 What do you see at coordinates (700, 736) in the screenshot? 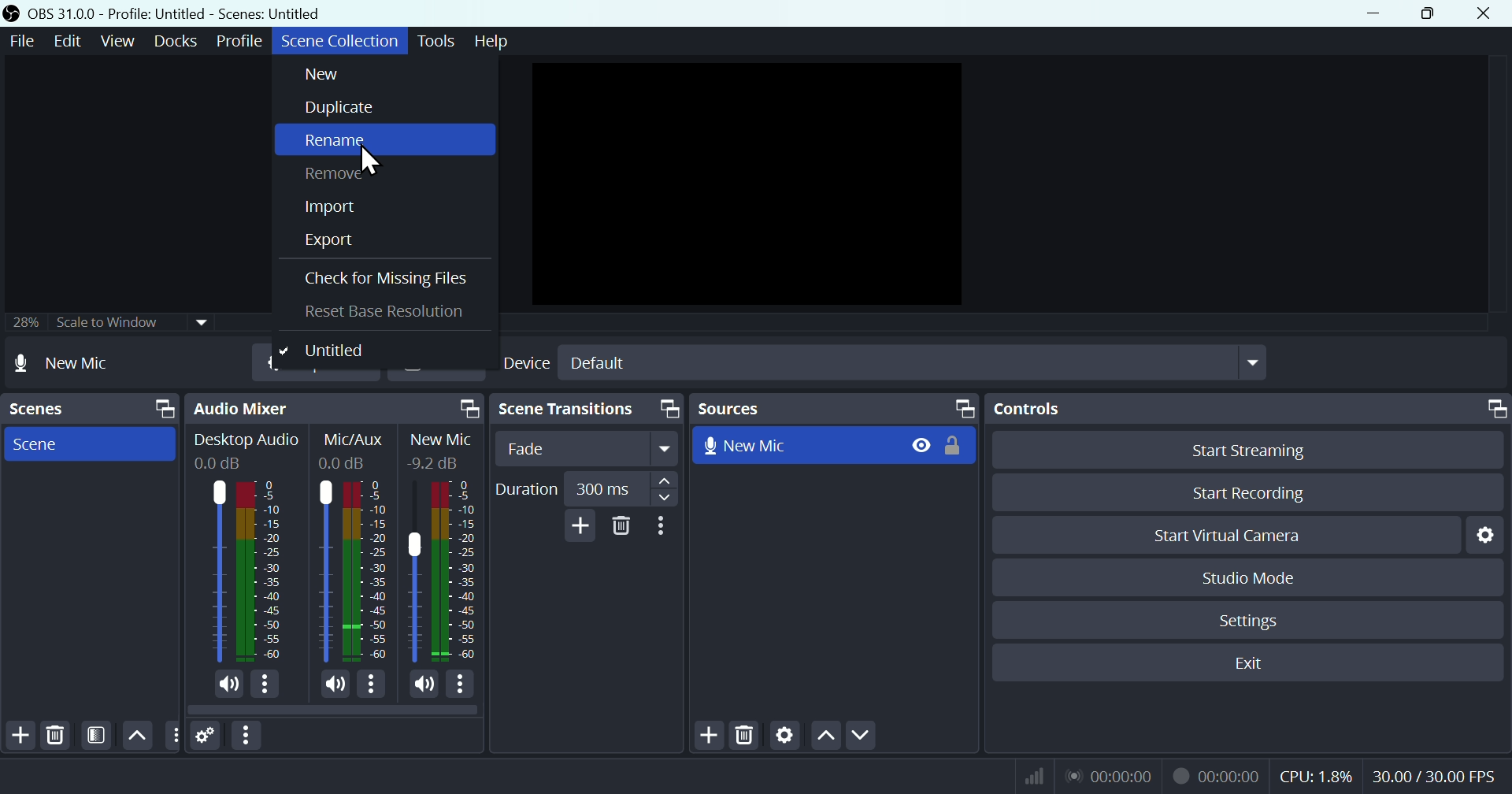
I see `Add` at bounding box center [700, 736].